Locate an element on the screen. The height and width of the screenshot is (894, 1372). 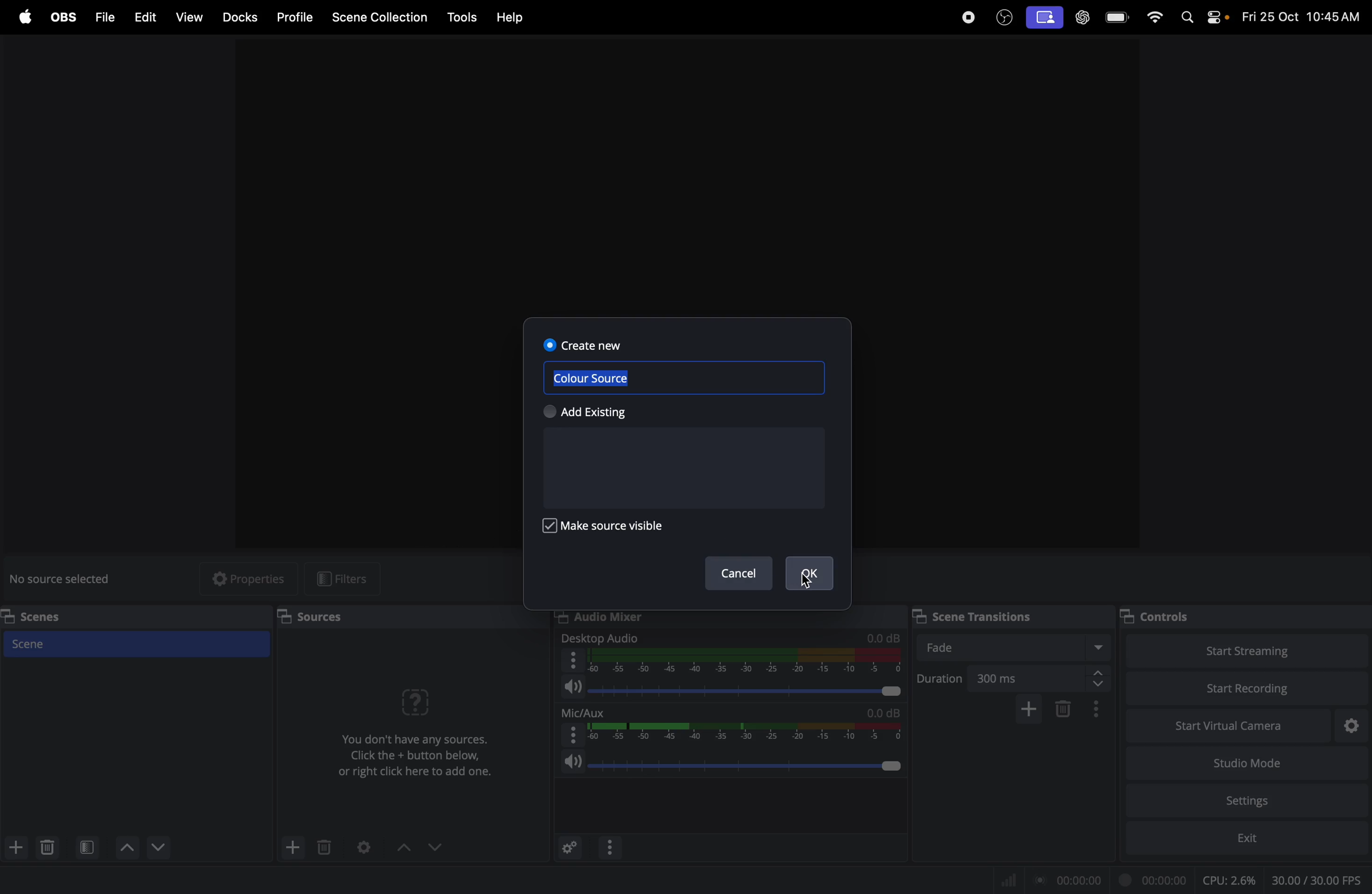
screen record is located at coordinates (1046, 18).